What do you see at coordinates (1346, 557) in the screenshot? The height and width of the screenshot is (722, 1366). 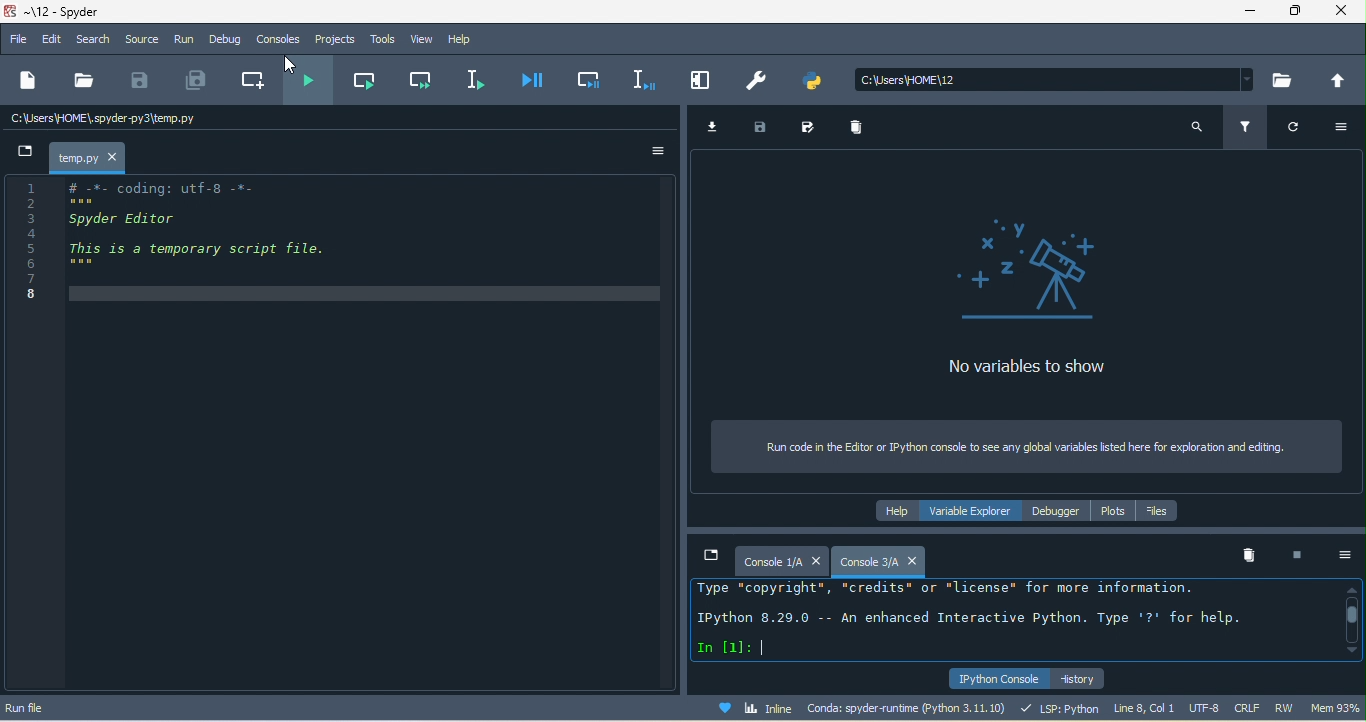 I see `option` at bounding box center [1346, 557].